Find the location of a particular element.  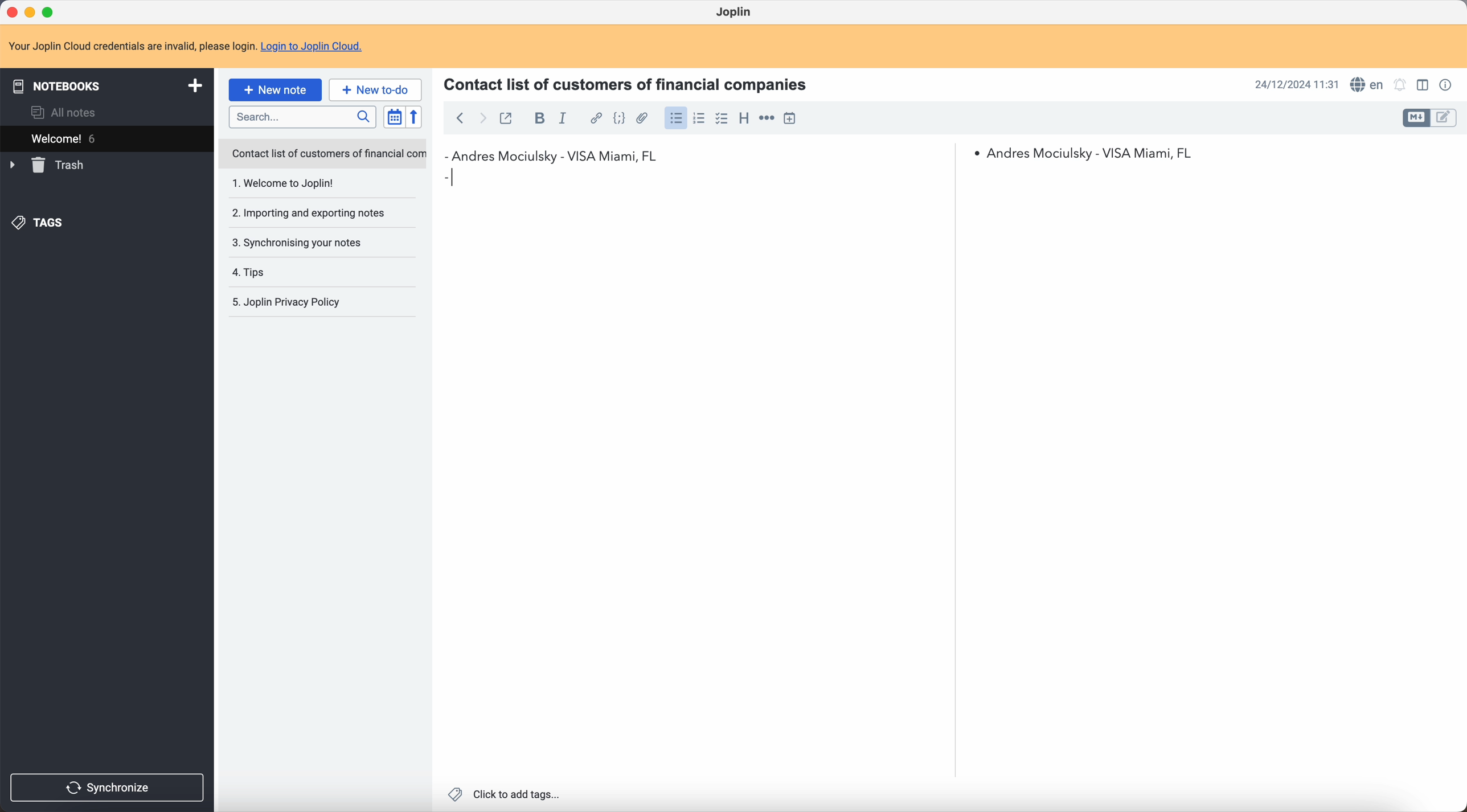

search bar is located at coordinates (305, 117).